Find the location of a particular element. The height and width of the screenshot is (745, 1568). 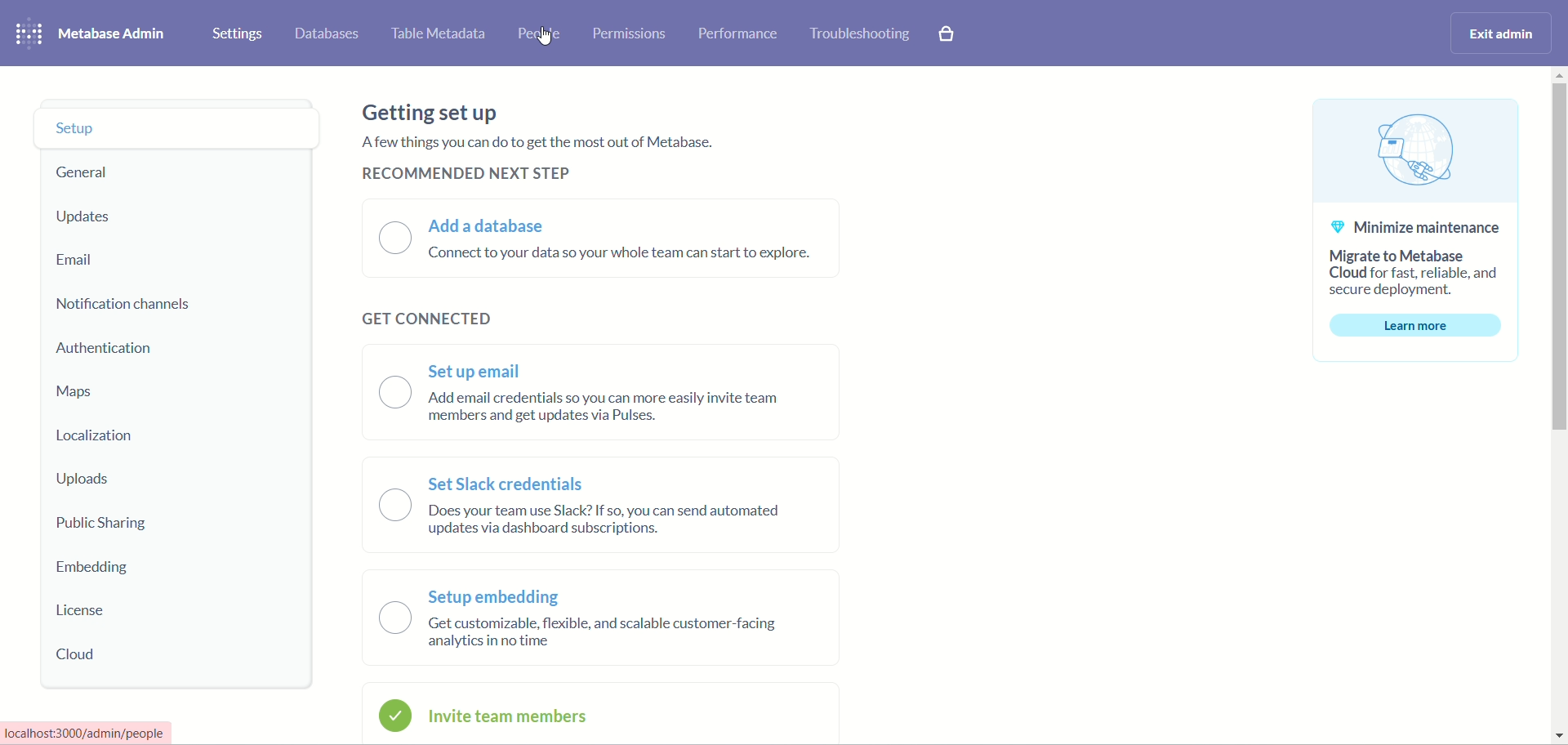

add a database is located at coordinates (488, 226).